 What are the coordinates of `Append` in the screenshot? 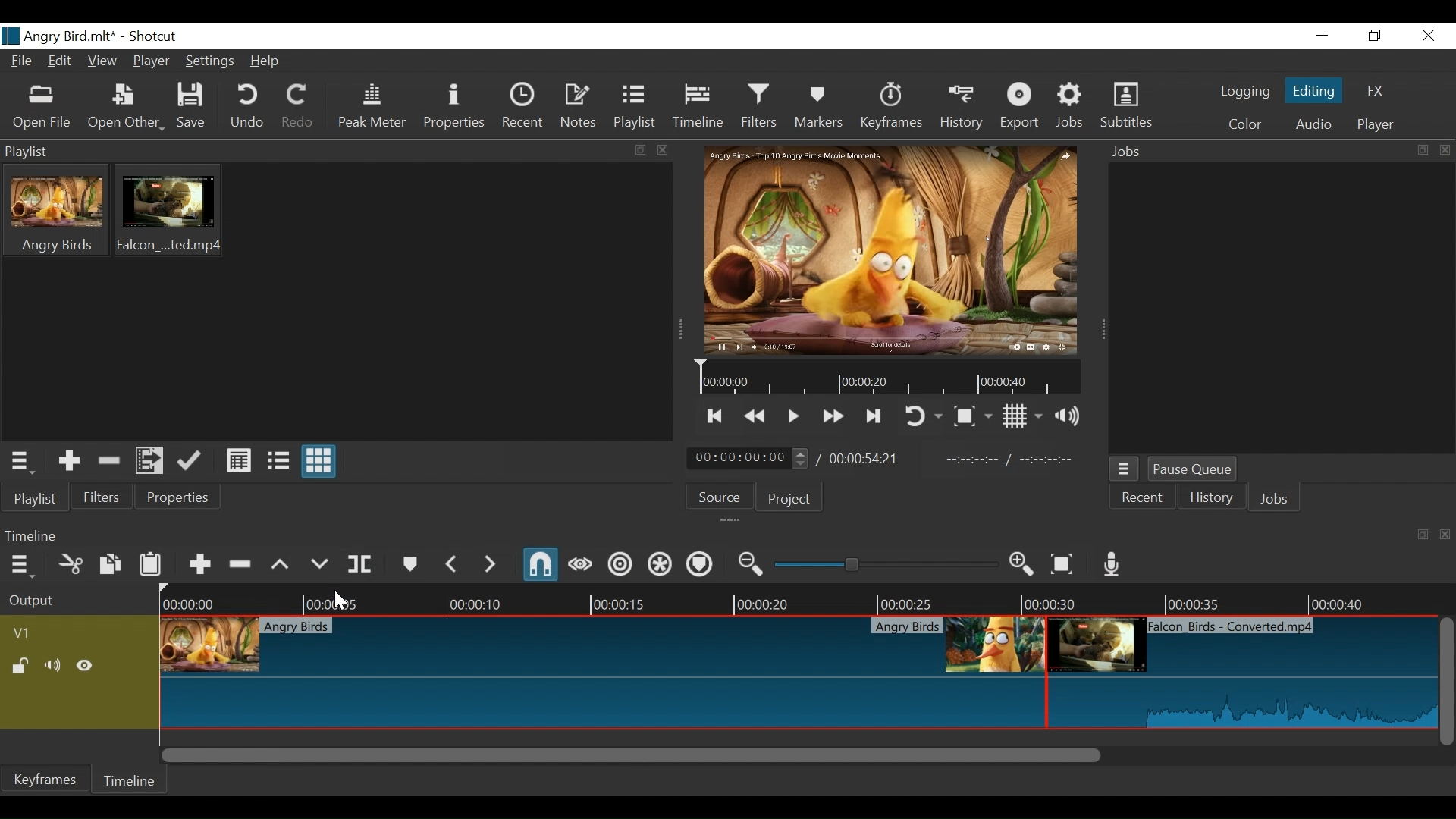 It's located at (199, 565).